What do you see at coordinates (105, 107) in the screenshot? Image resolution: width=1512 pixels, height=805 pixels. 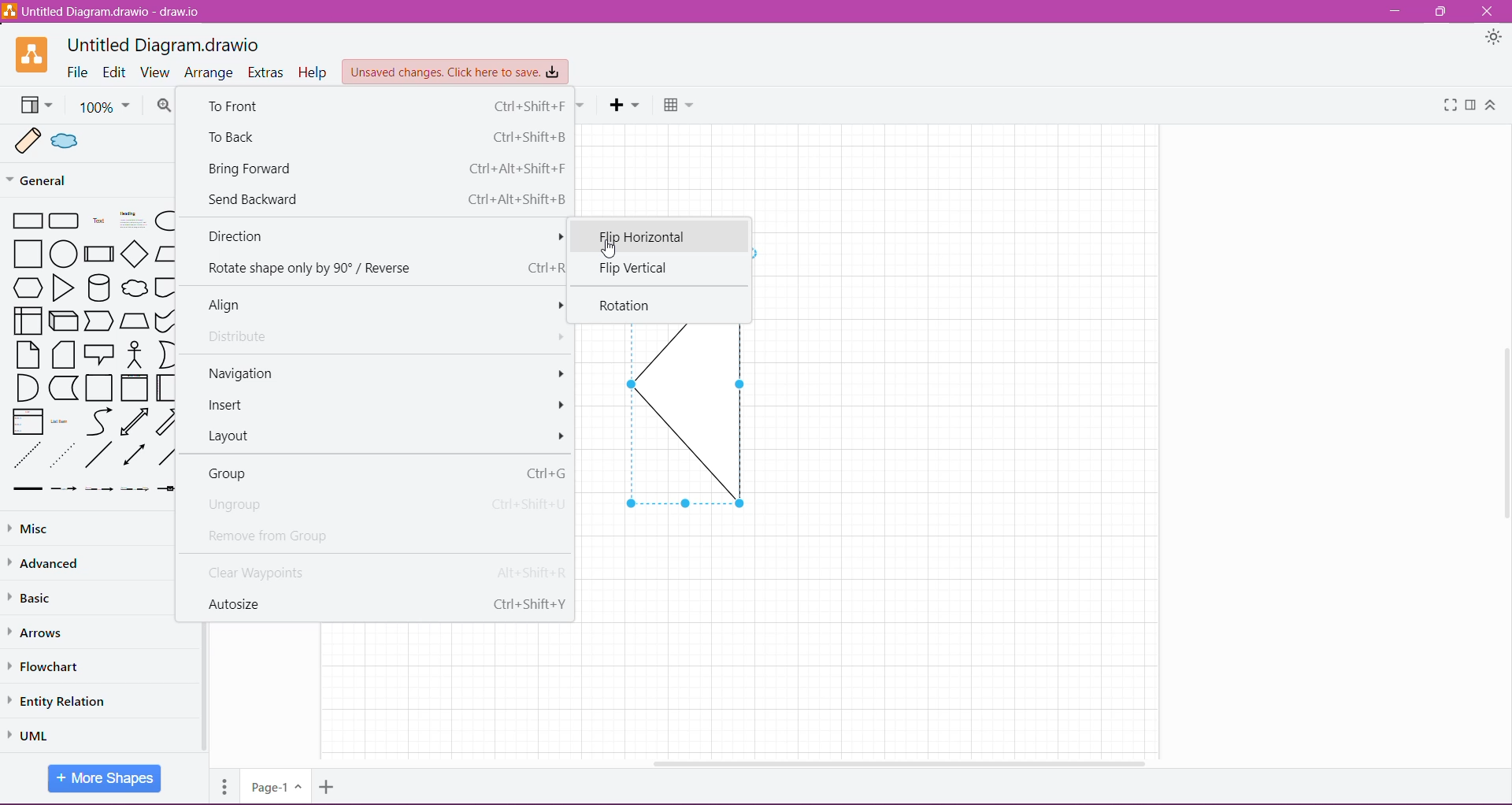 I see `100%` at bounding box center [105, 107].